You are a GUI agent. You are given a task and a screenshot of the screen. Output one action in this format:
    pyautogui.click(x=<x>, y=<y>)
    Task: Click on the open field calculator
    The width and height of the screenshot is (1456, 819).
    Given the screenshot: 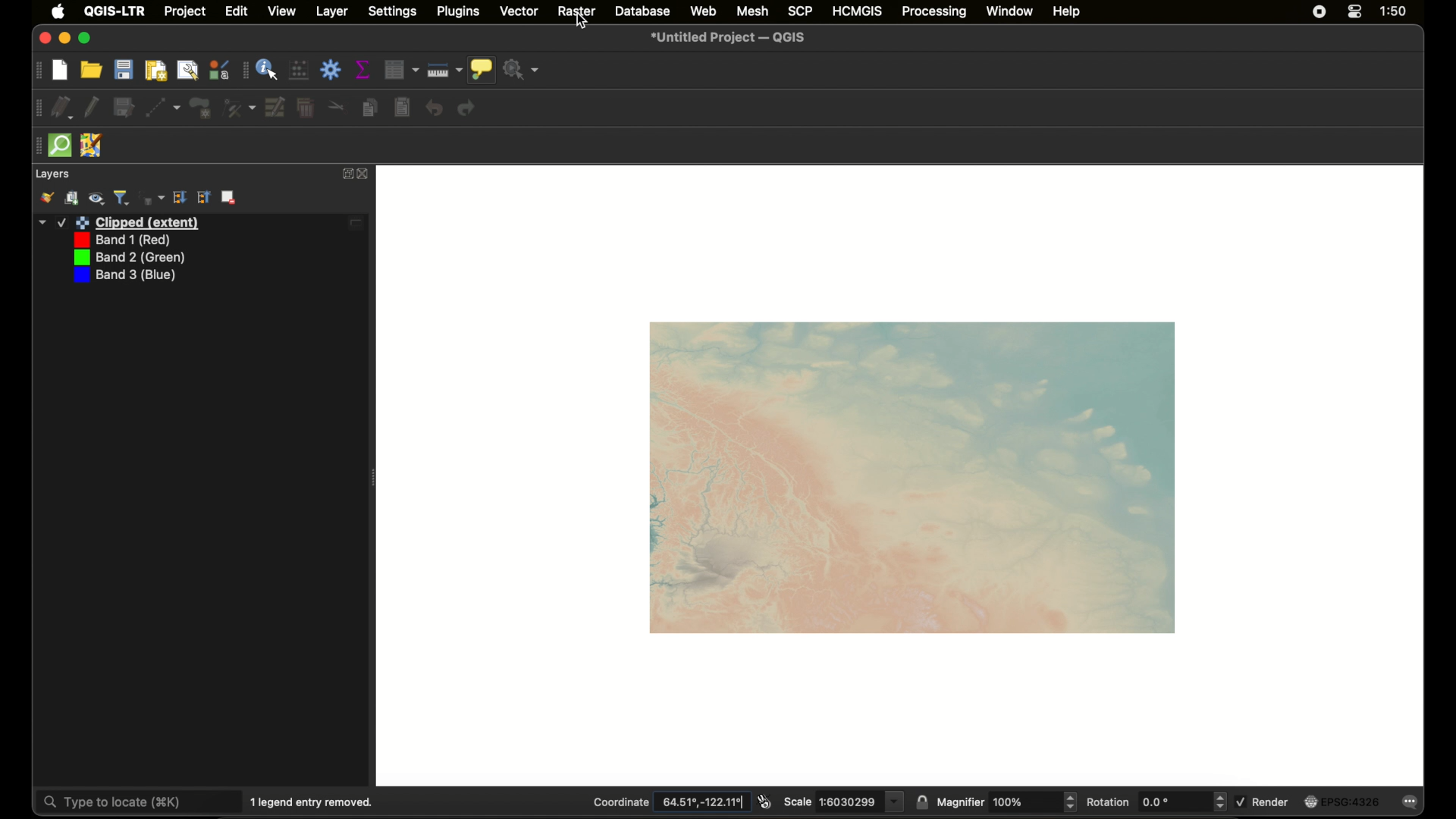 What is the action you would take?
    pyautogui.click(x=298, y=69)
    